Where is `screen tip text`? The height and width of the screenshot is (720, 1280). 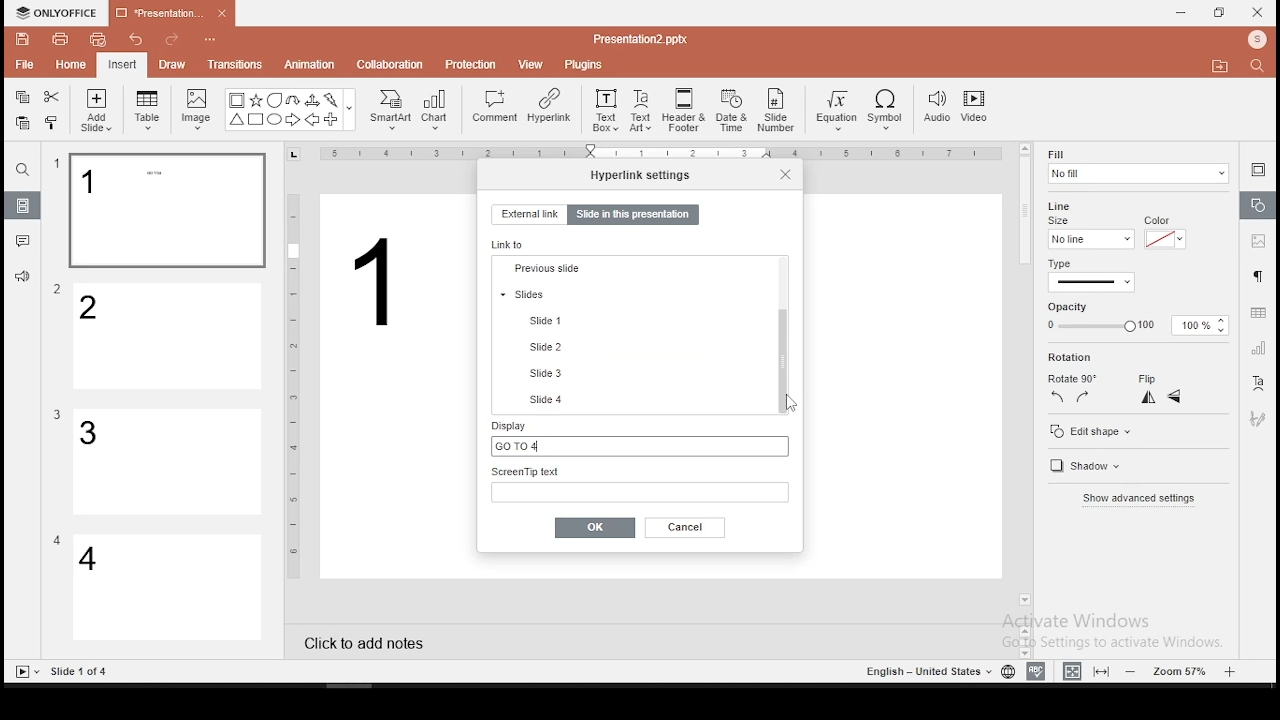 screen tip text is located at coordinates (640, 483).